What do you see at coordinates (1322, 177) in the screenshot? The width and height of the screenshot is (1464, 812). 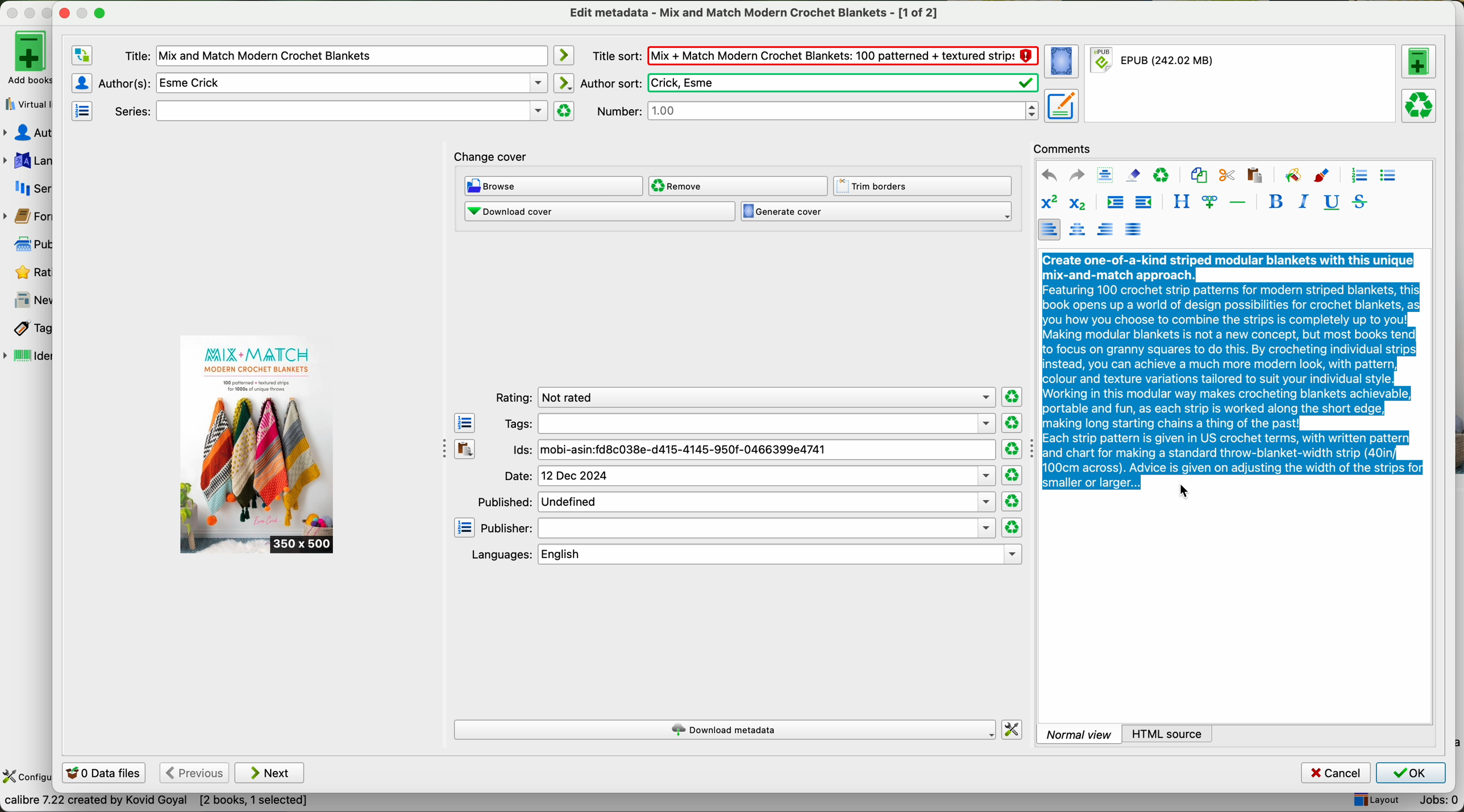 I see `foreground color` at bounding box center [1322, 177].